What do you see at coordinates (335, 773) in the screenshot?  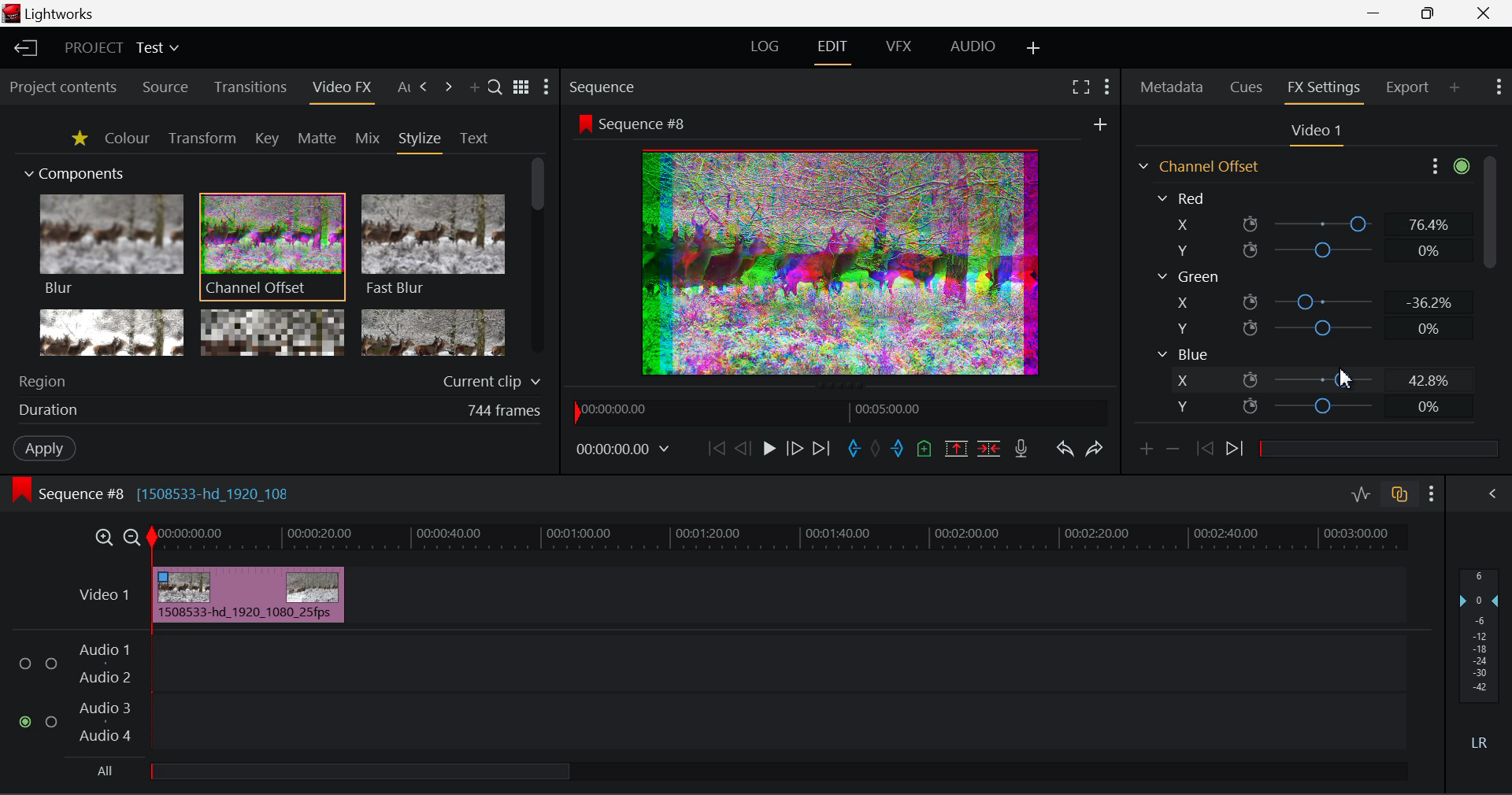 I see `all` at bounding box center [335, 773].